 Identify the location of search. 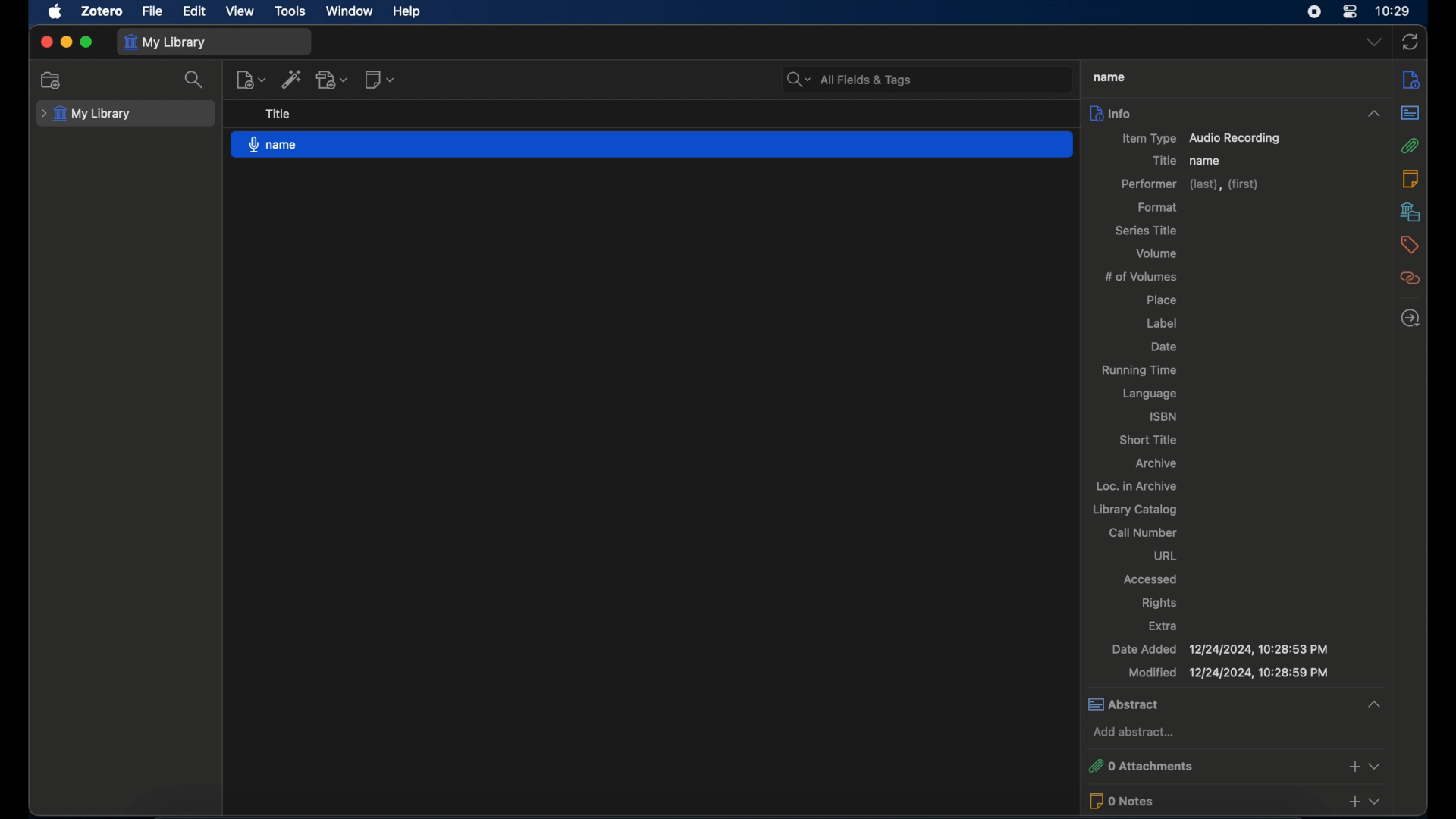
(194, 79).